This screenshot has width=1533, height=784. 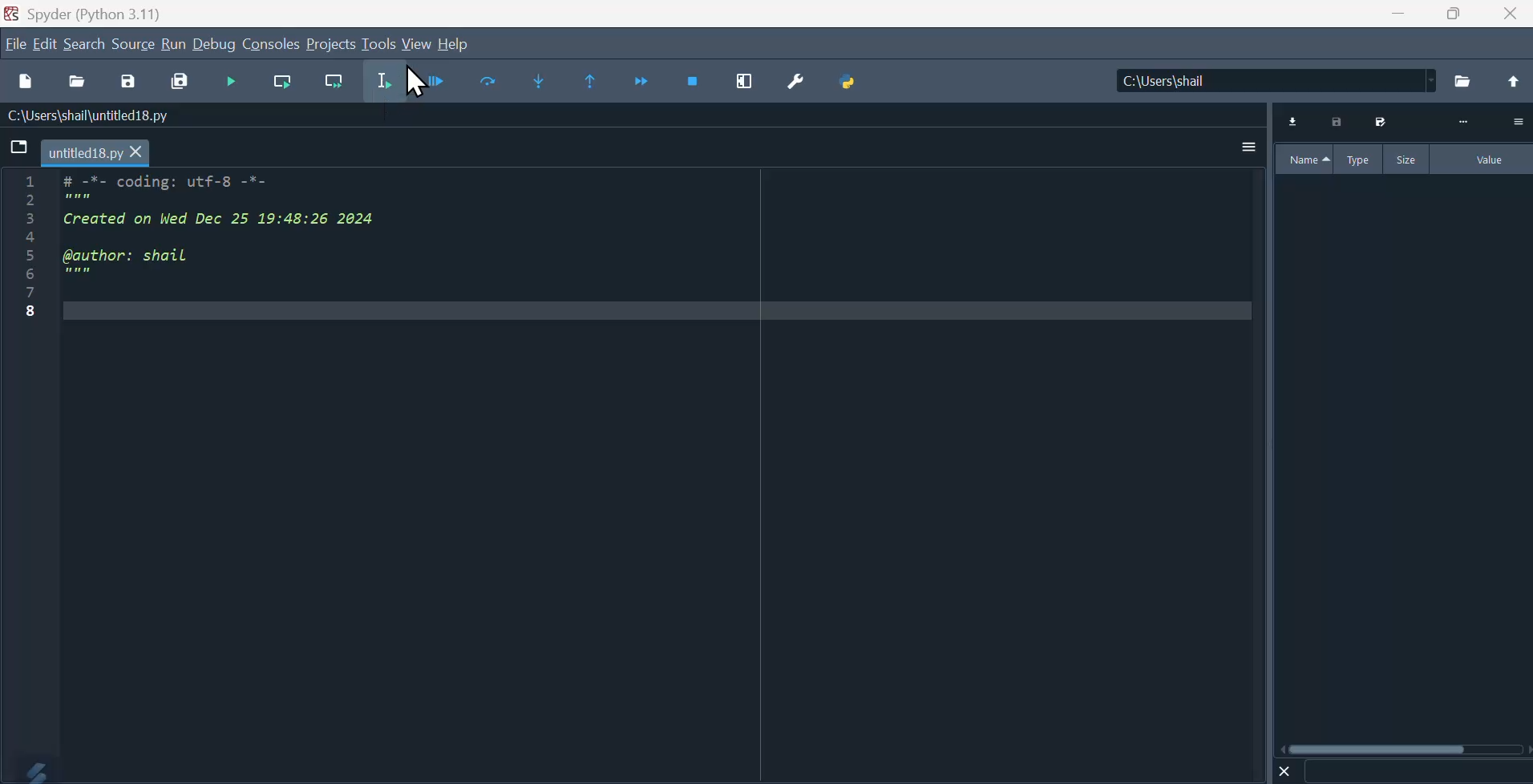 What do you see at coordinates (330, 43) in the screenshot?
I see `Project` at bounding box center [330, 43].